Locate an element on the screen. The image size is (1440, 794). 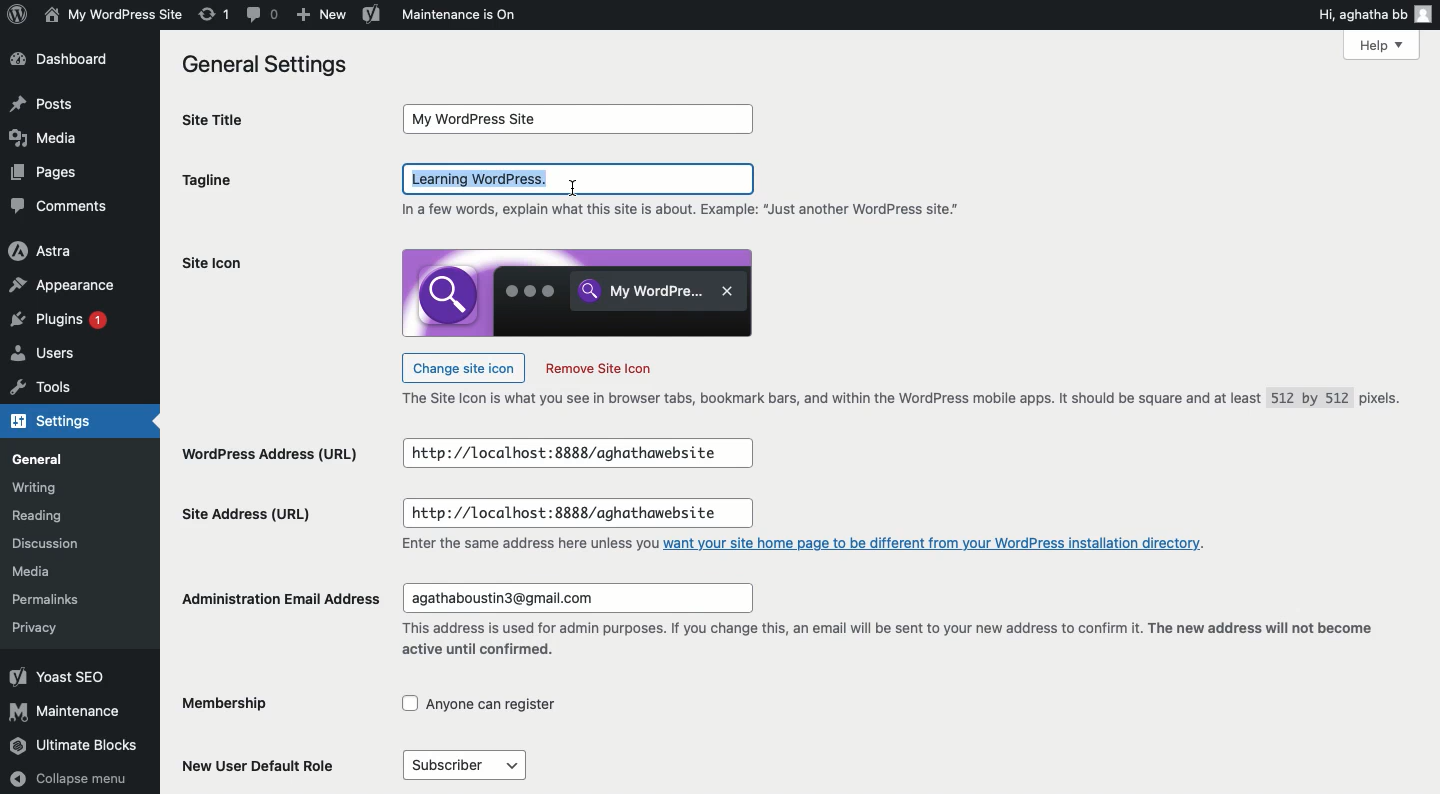
Change is located at coordinates (463, 366).